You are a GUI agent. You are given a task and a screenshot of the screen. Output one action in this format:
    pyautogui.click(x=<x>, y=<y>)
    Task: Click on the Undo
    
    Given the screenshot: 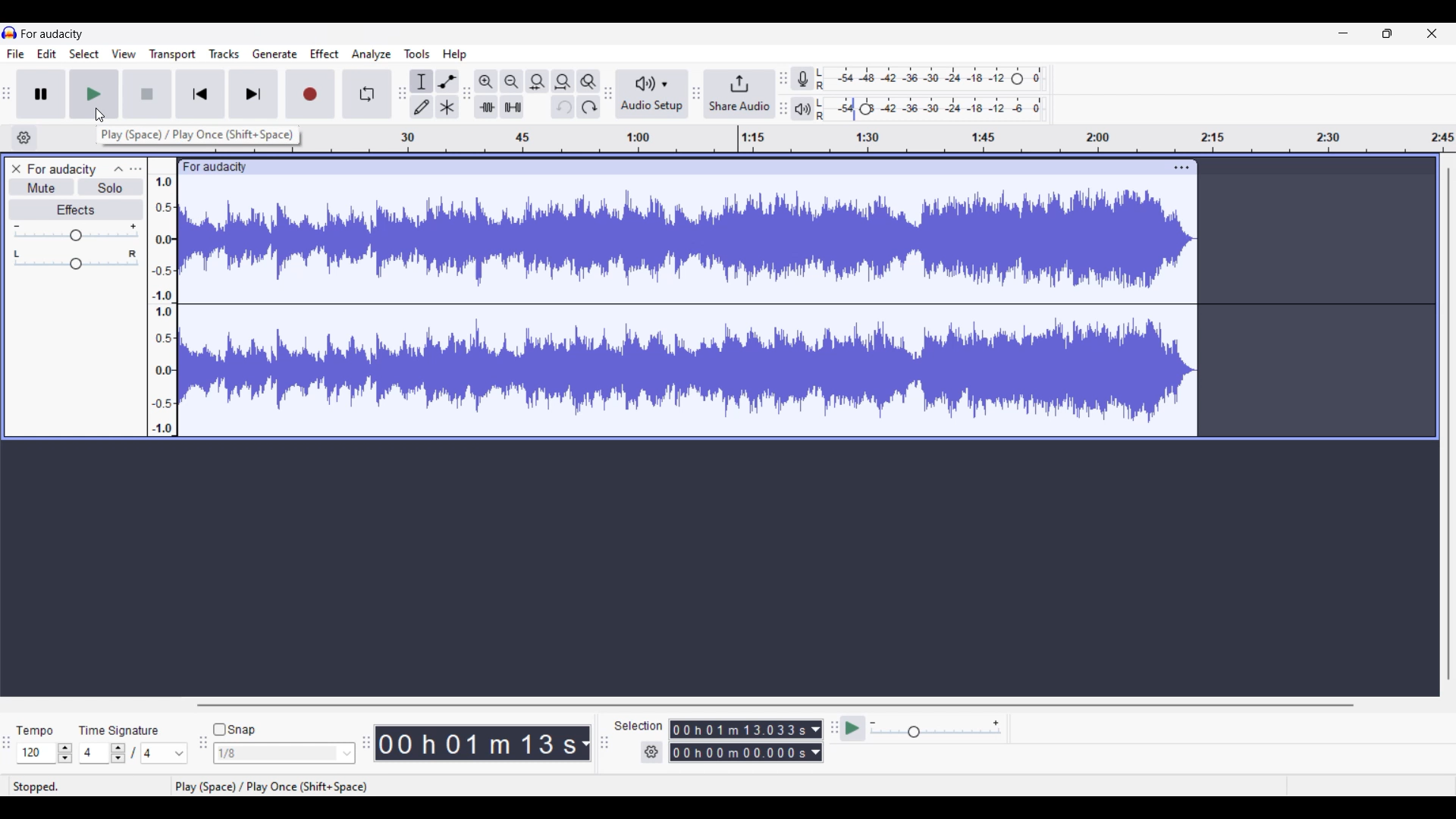 What is the action you would take?
    pyautogui.click(x=562, y=107)
    